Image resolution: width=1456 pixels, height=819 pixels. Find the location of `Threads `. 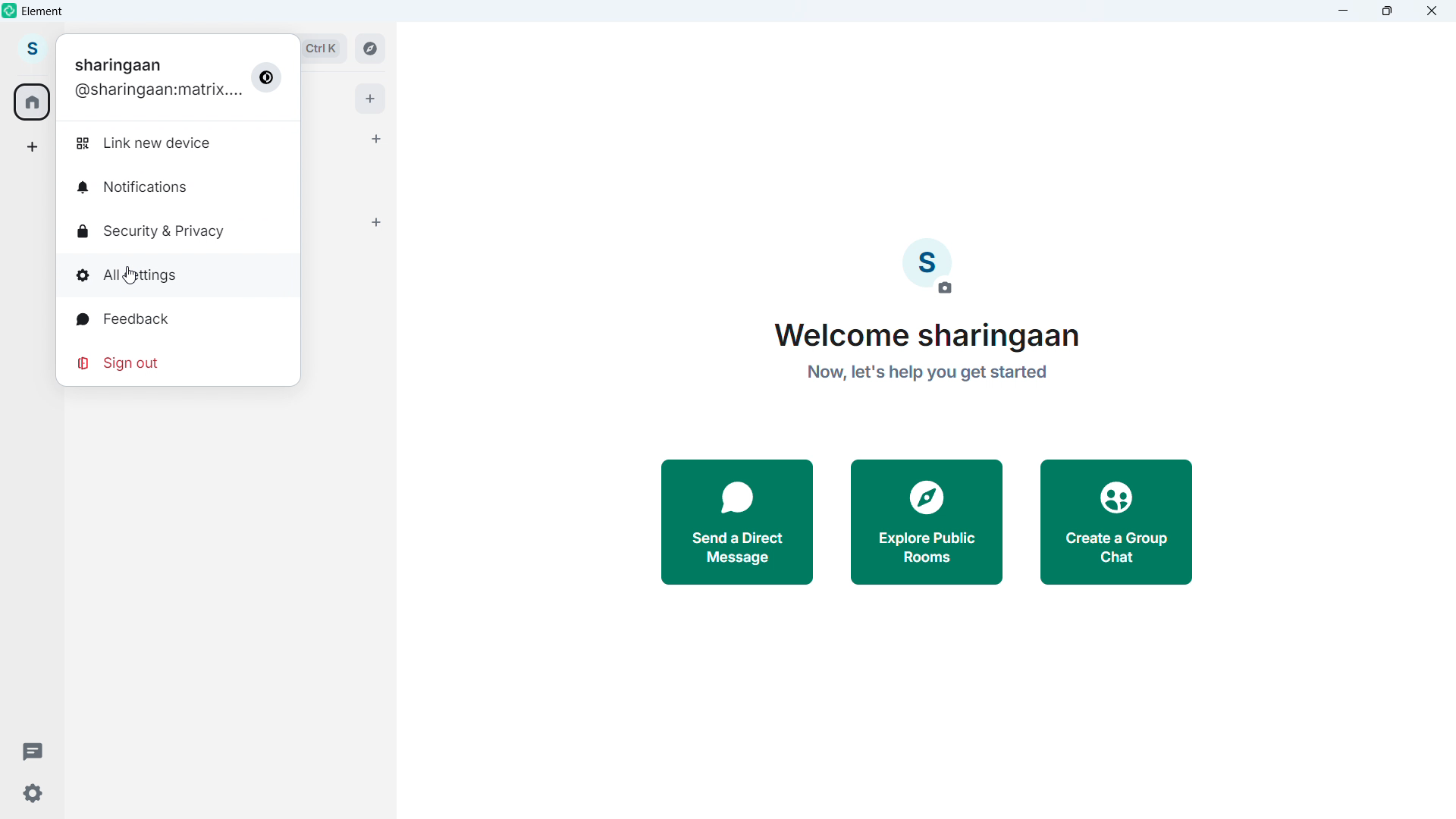

Threads  is located at coordinates (33, 750).